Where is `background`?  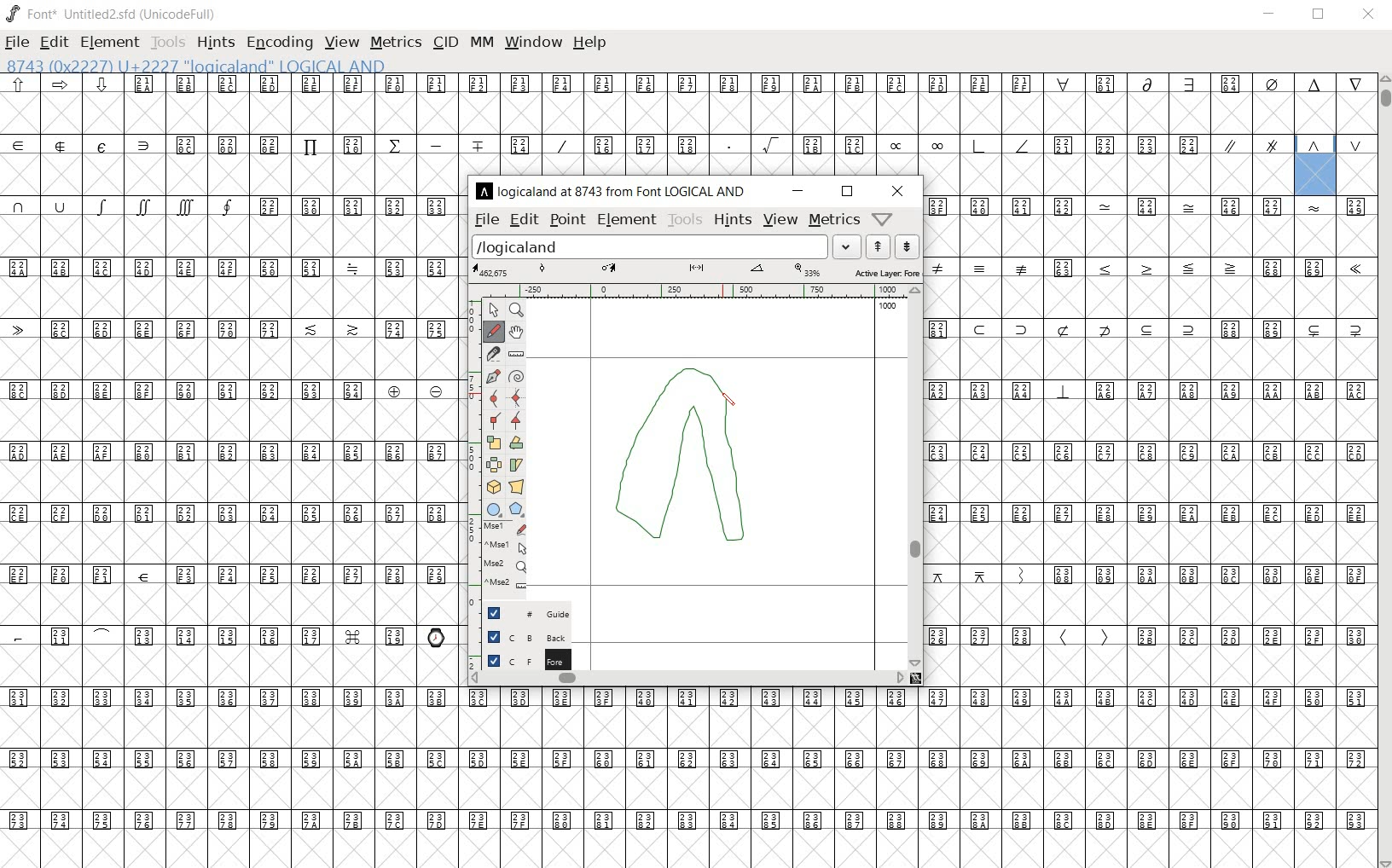 background is located at coordinates (519, 638).